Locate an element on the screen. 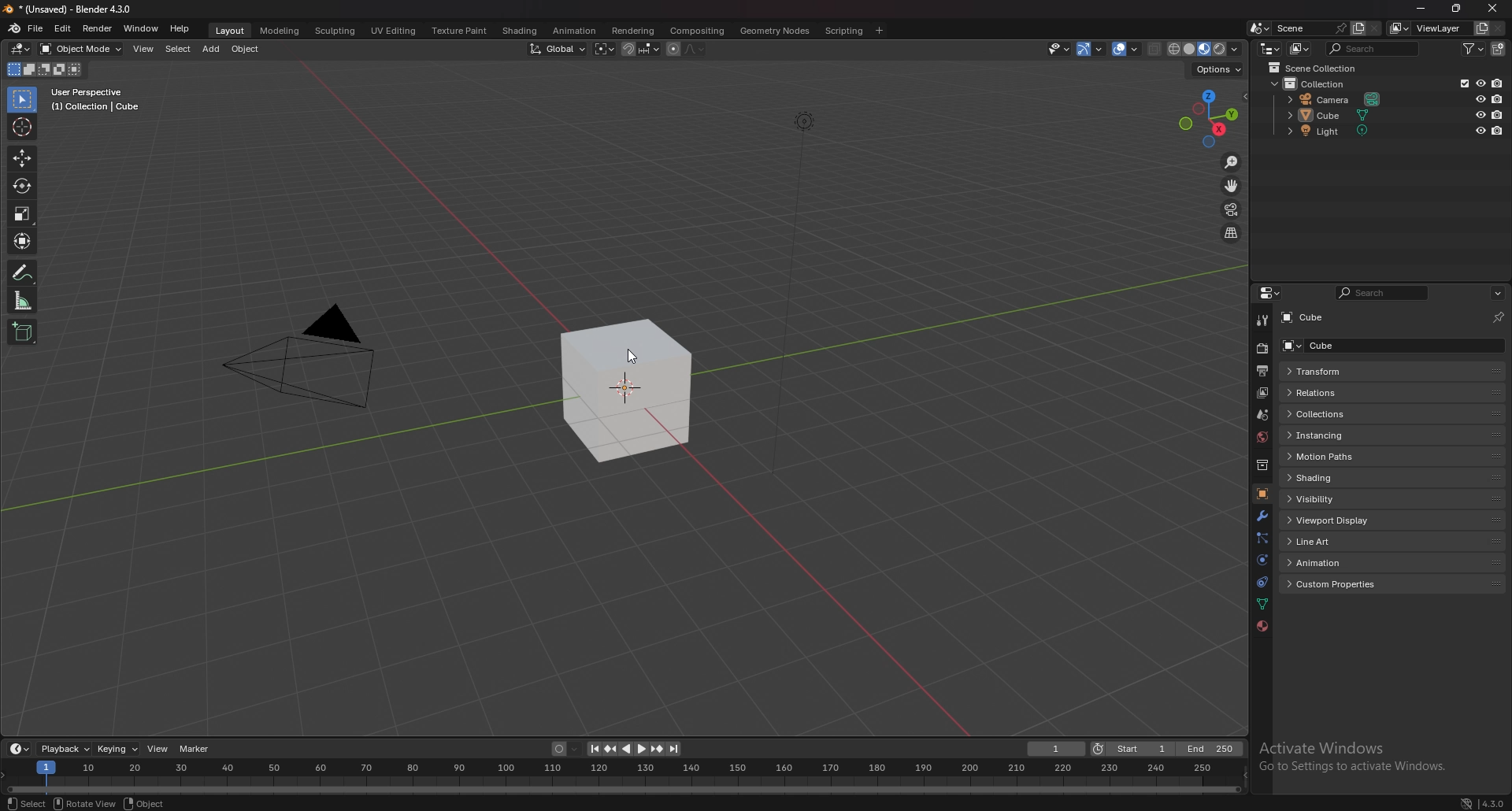  editor type is located at coordinates (1271, 293).